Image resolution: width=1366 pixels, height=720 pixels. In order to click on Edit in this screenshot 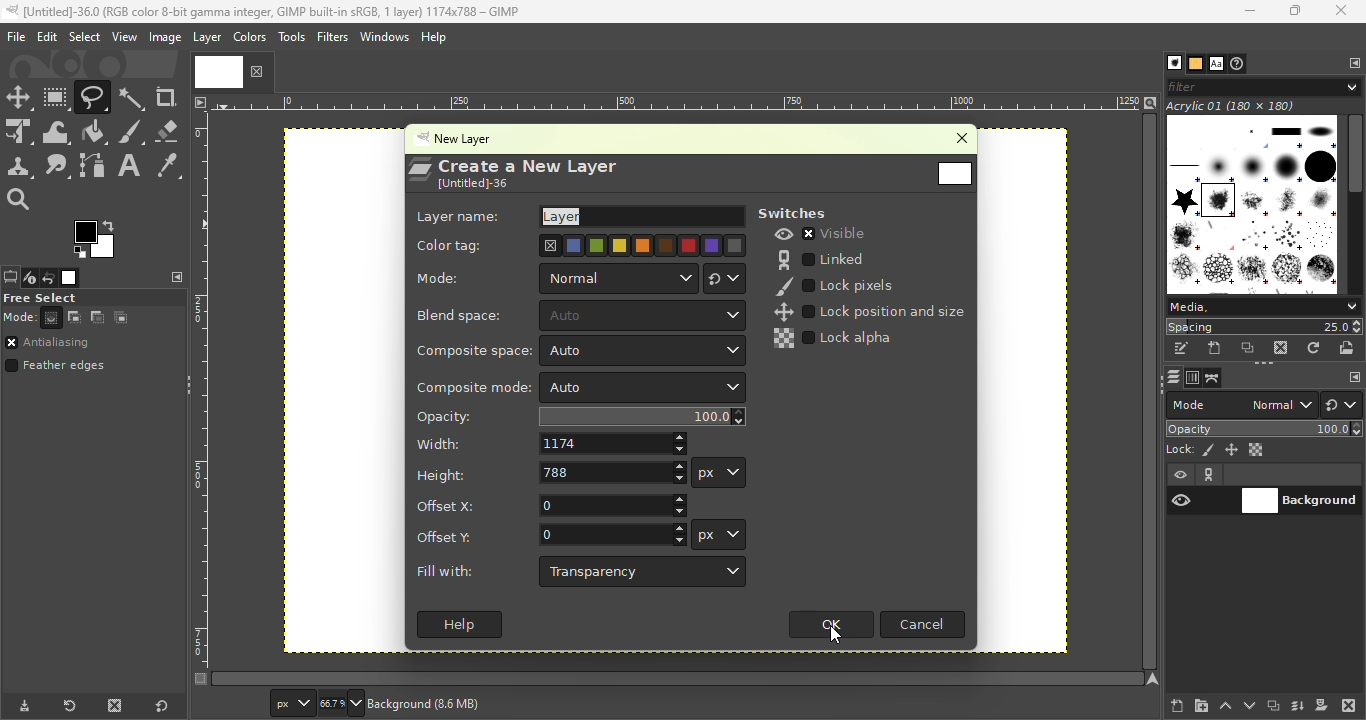, I will do `click(46, 36)`.